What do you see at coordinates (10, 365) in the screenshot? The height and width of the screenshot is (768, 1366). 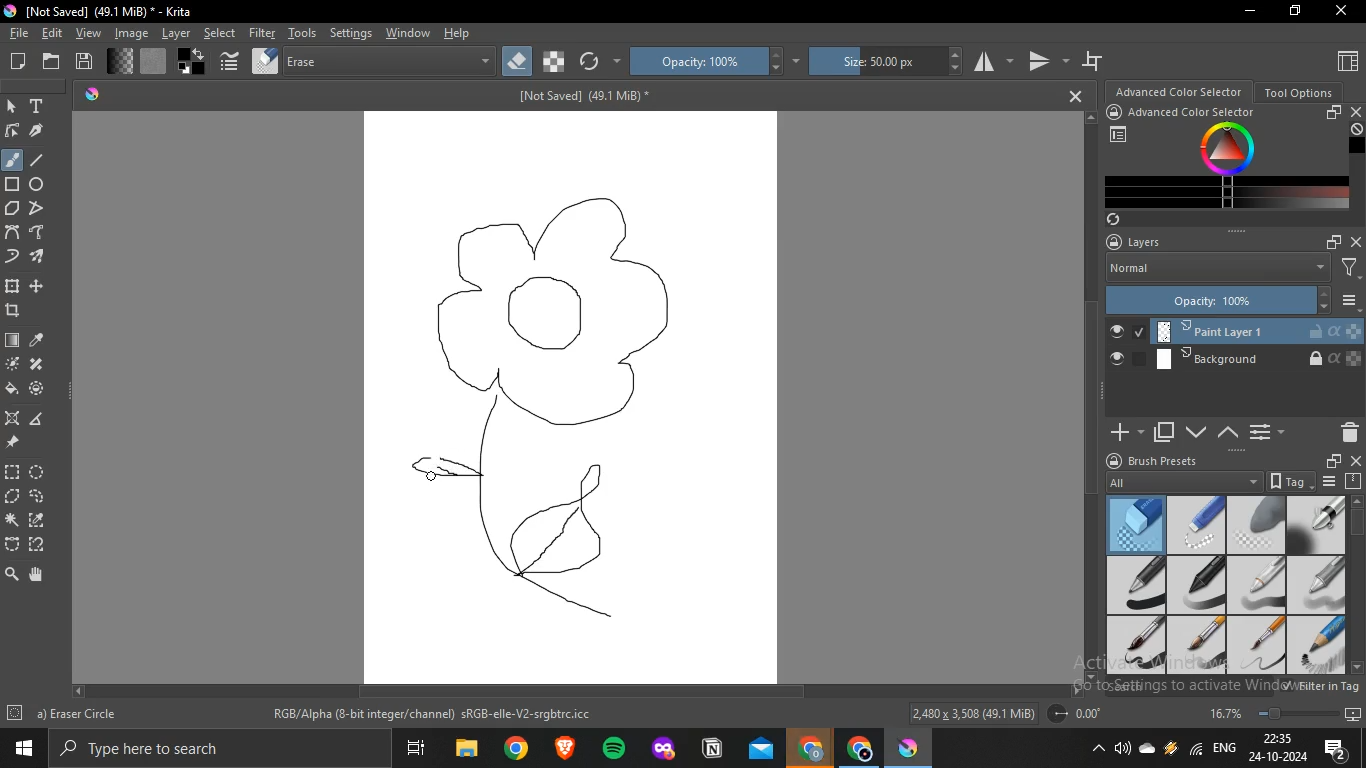 I see `colorize mask tool` at bounding box center [10, 365].